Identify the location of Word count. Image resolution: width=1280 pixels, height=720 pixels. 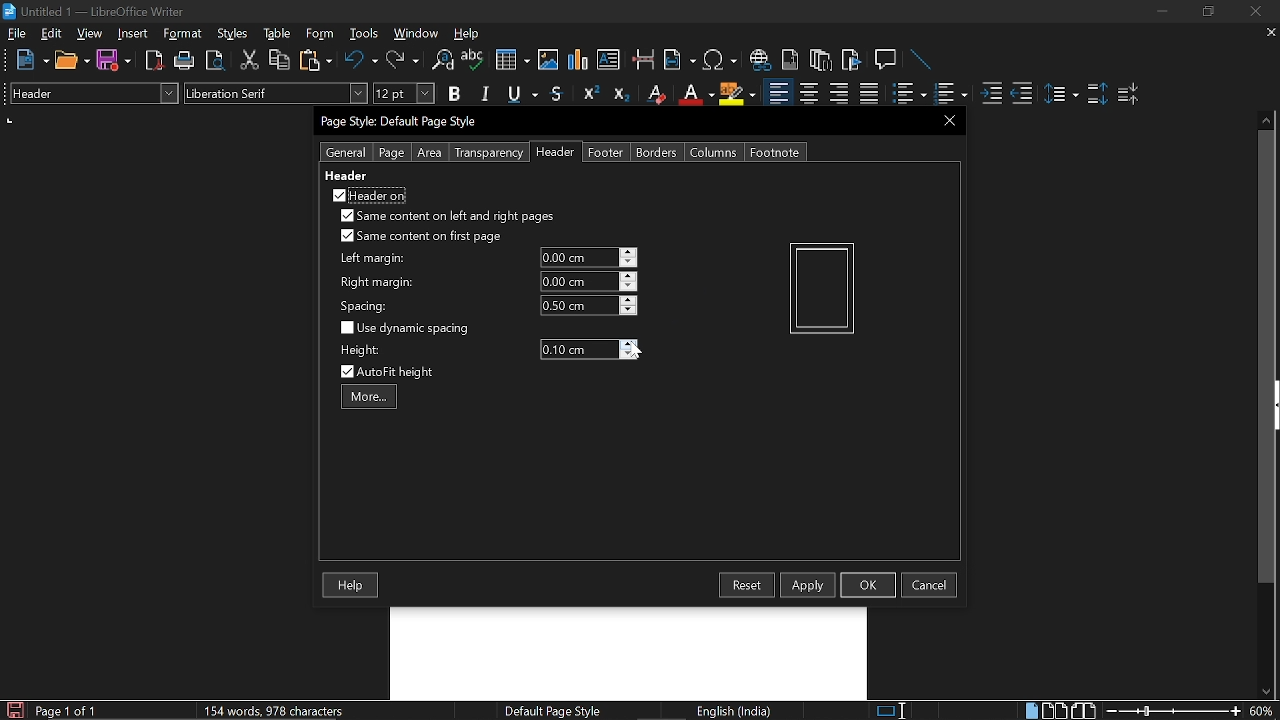
(295, 710).